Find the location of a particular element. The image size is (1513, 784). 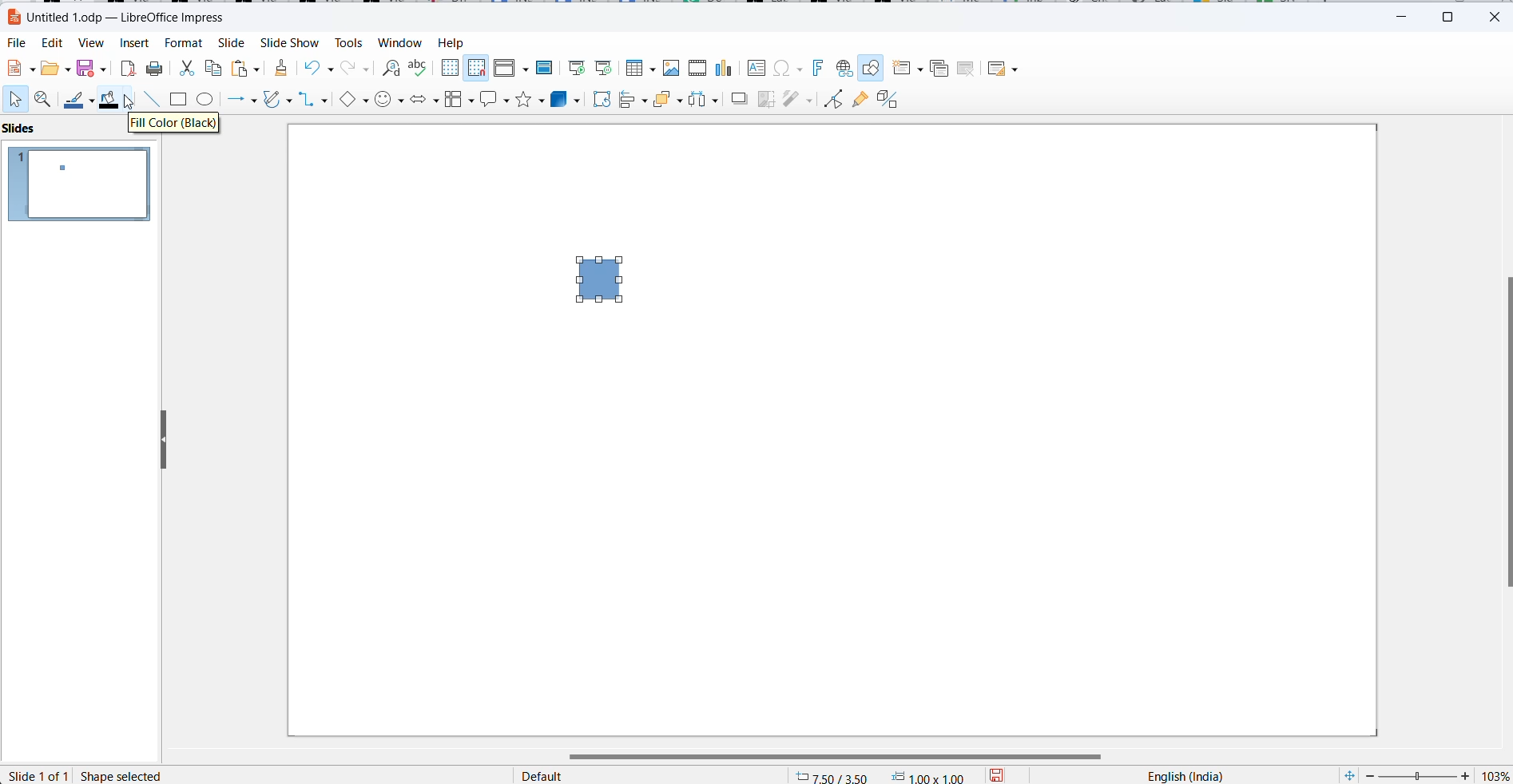

zoom slider is located at coordinates (1417, 775).